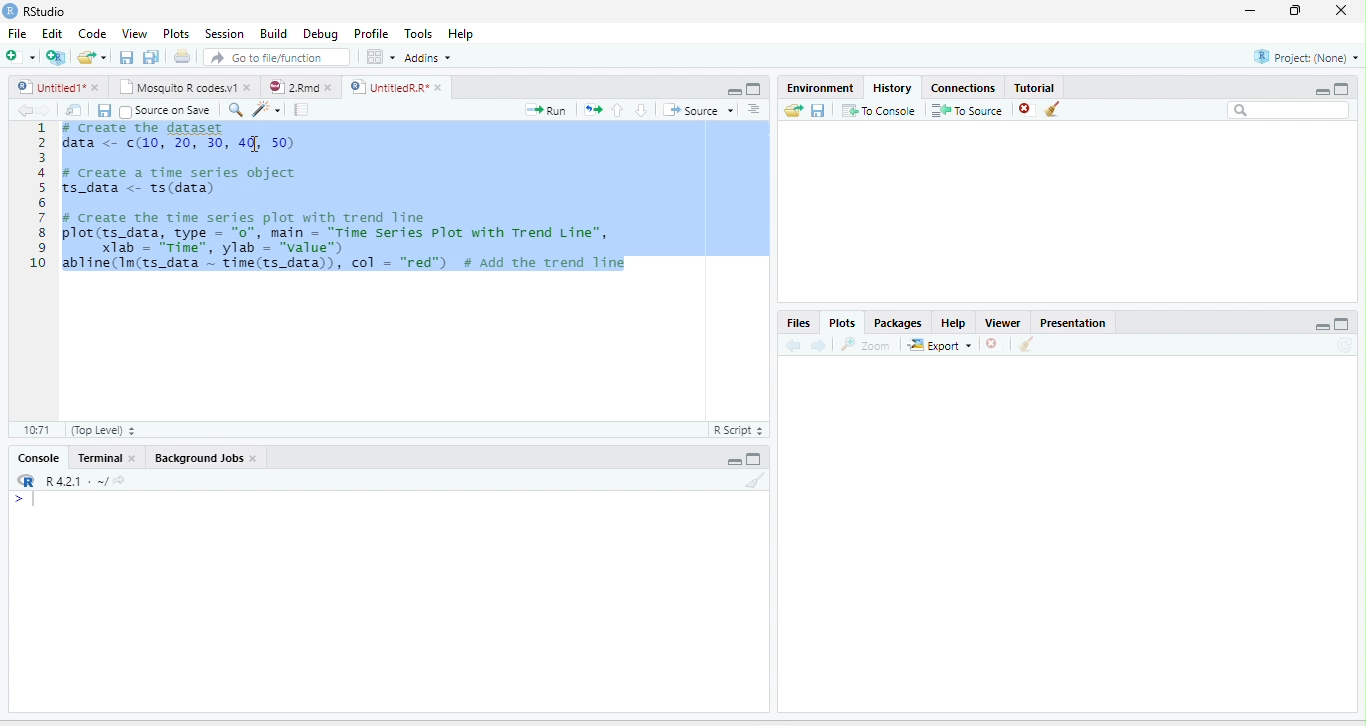 The width and height of the screenshot is (1366, 726). Describe the element at coordinates (1343, 324) in the screenshot. I see `Maximize` at that location.